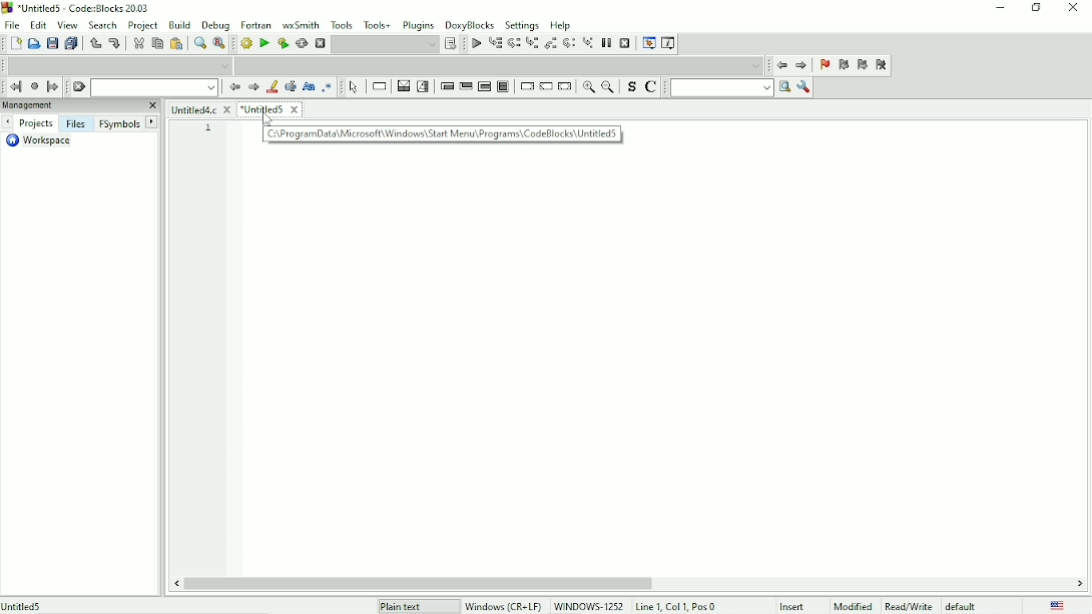  Describe the element at coordinates (465, 88) in the screenshot. I see `Exit condition loop` at that location.